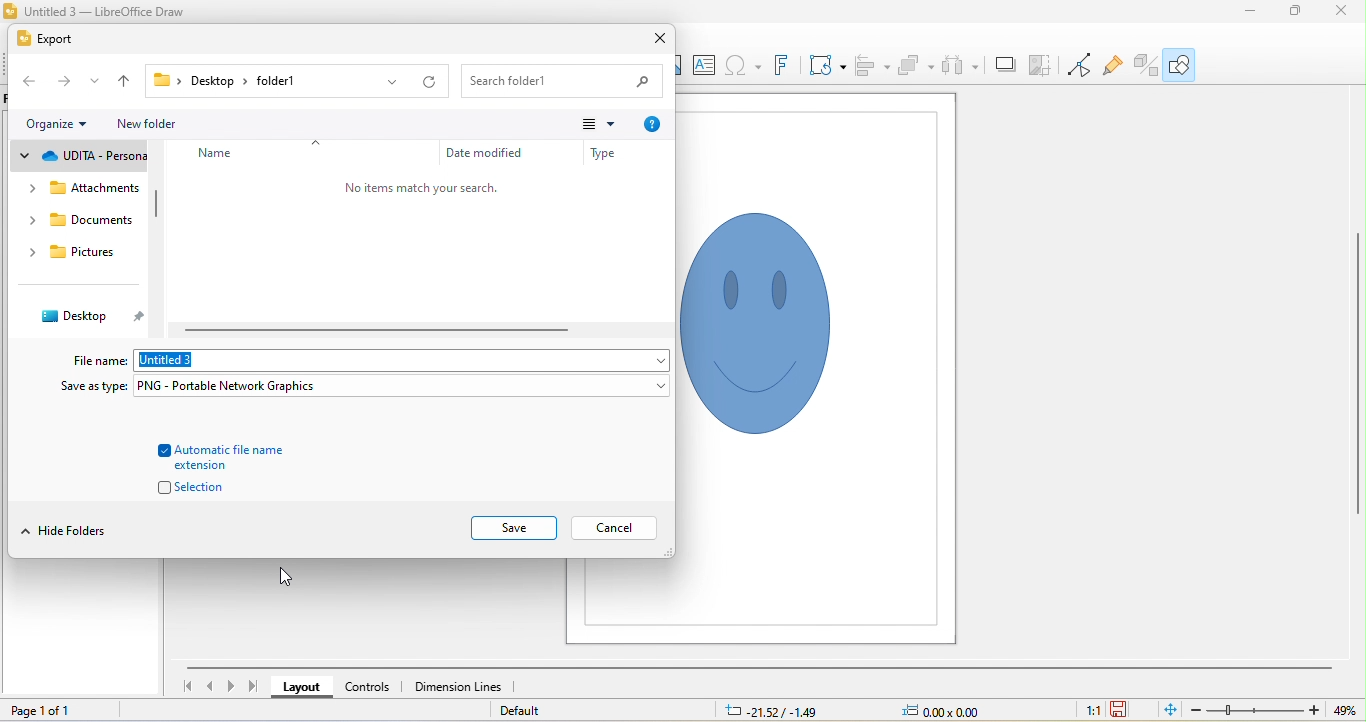 The width and height of the screenshot is (1366, 722). What do you see at coordinates (606, 155) in the screenshot?
I see `type` at bounding box center [606, 155].